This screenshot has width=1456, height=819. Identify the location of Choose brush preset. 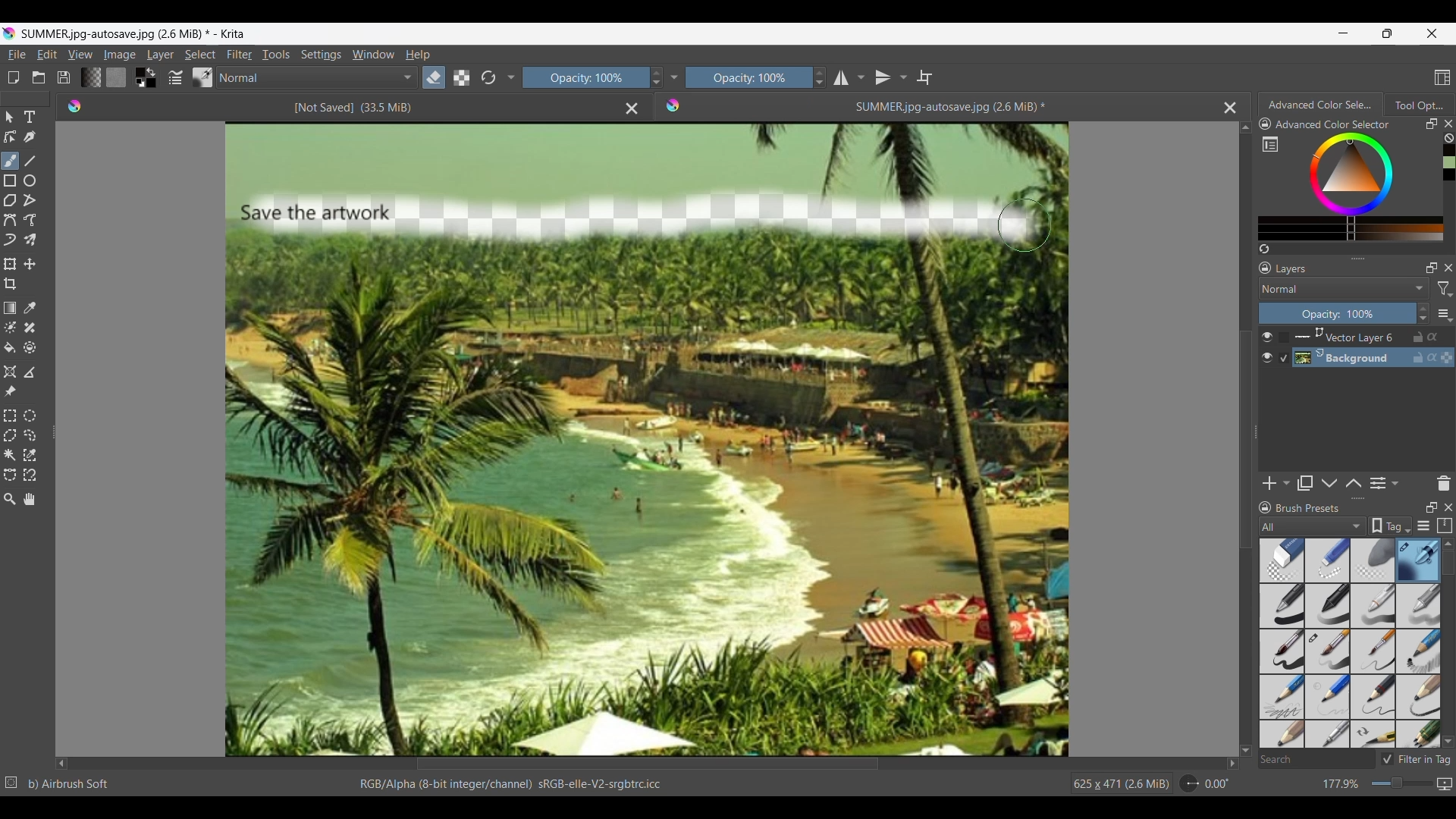
(203, 77).